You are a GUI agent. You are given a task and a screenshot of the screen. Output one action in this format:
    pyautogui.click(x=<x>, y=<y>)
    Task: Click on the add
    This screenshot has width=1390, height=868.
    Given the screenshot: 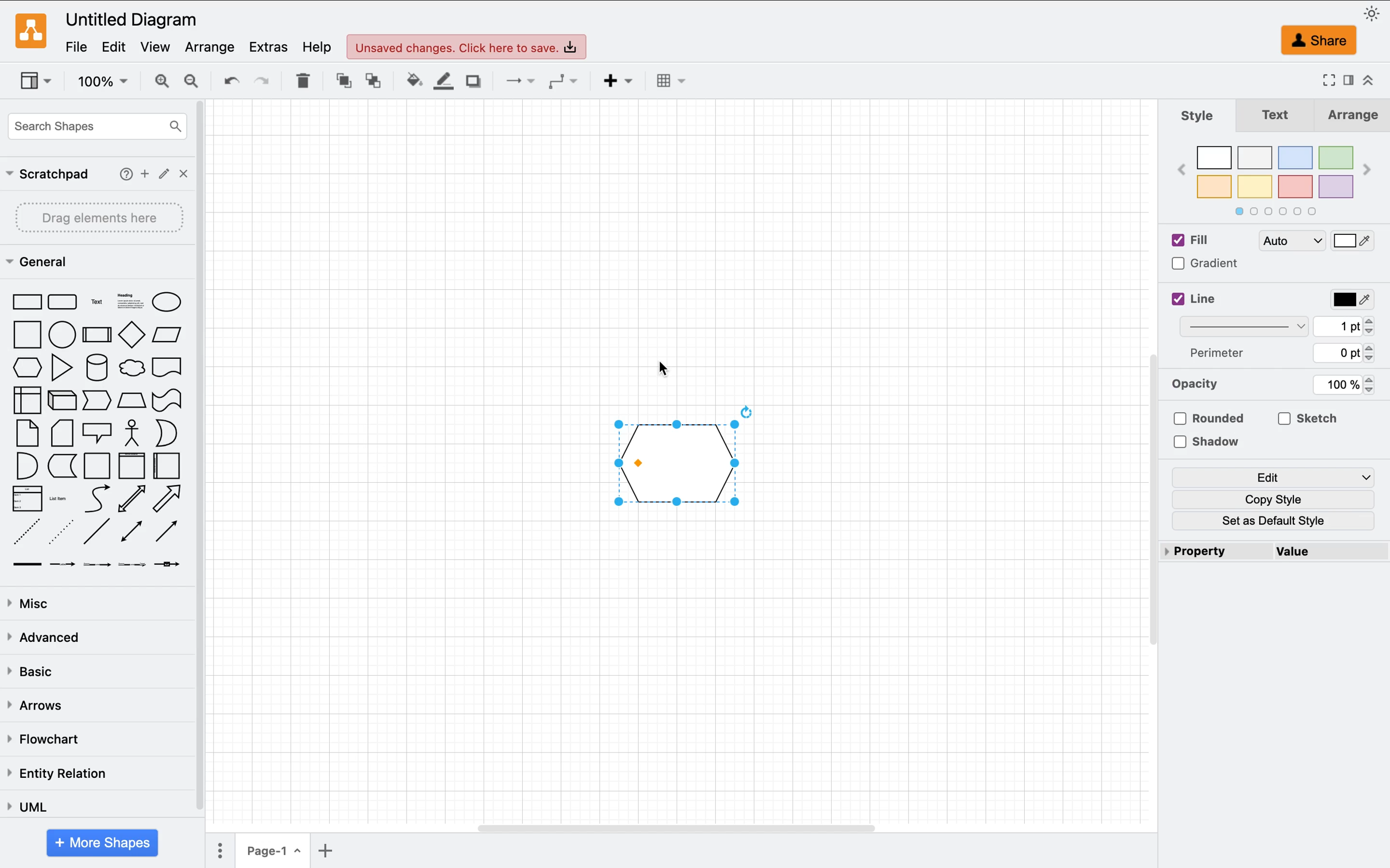 What is the action you would take?
    pyautogui.click(x=145, y=172)
    